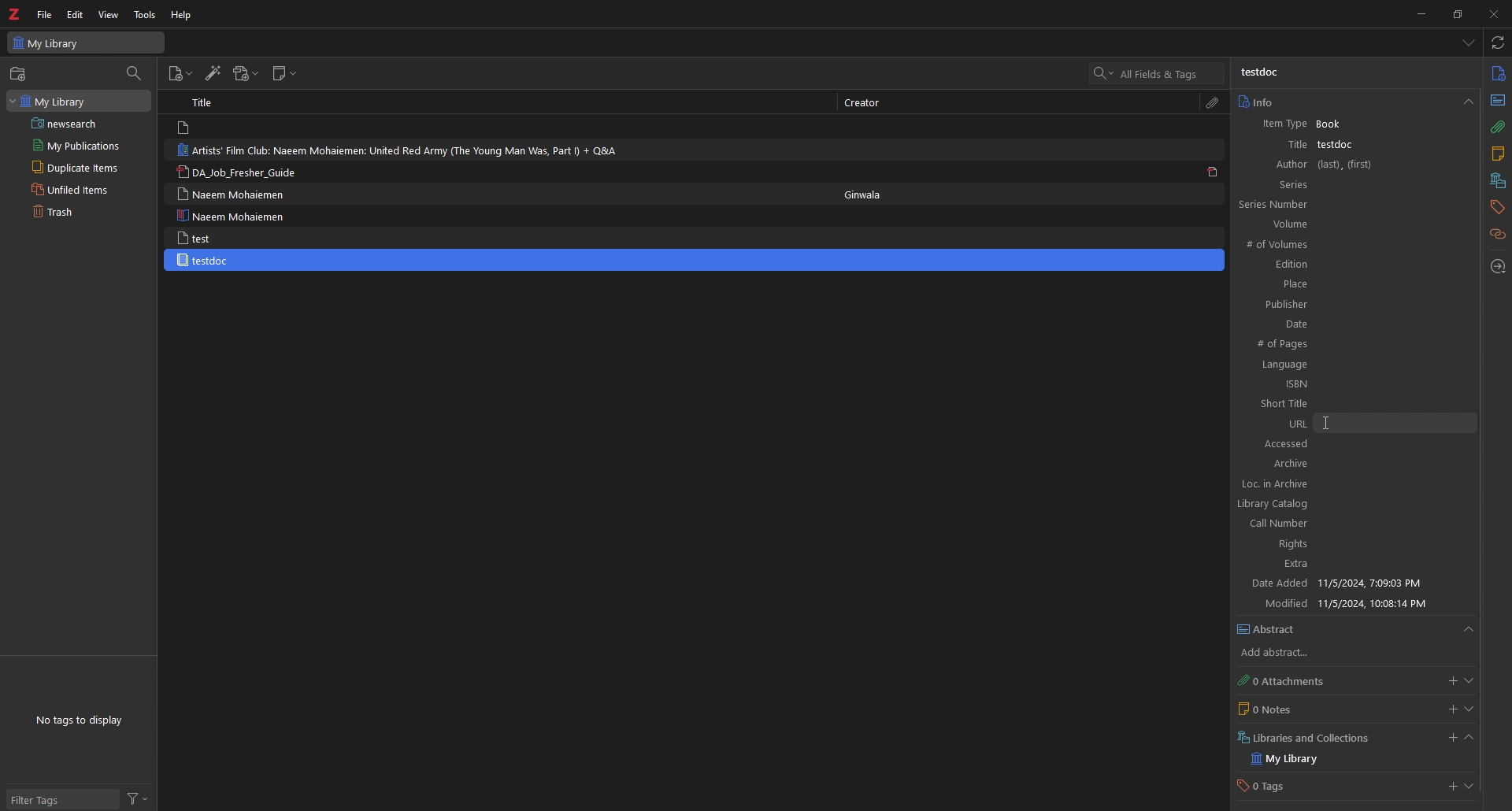 This screenshot has height=811, width=1512. Describe the element at coordinates (1339, 403) in the screenshot. I see `Short Title` at that location.